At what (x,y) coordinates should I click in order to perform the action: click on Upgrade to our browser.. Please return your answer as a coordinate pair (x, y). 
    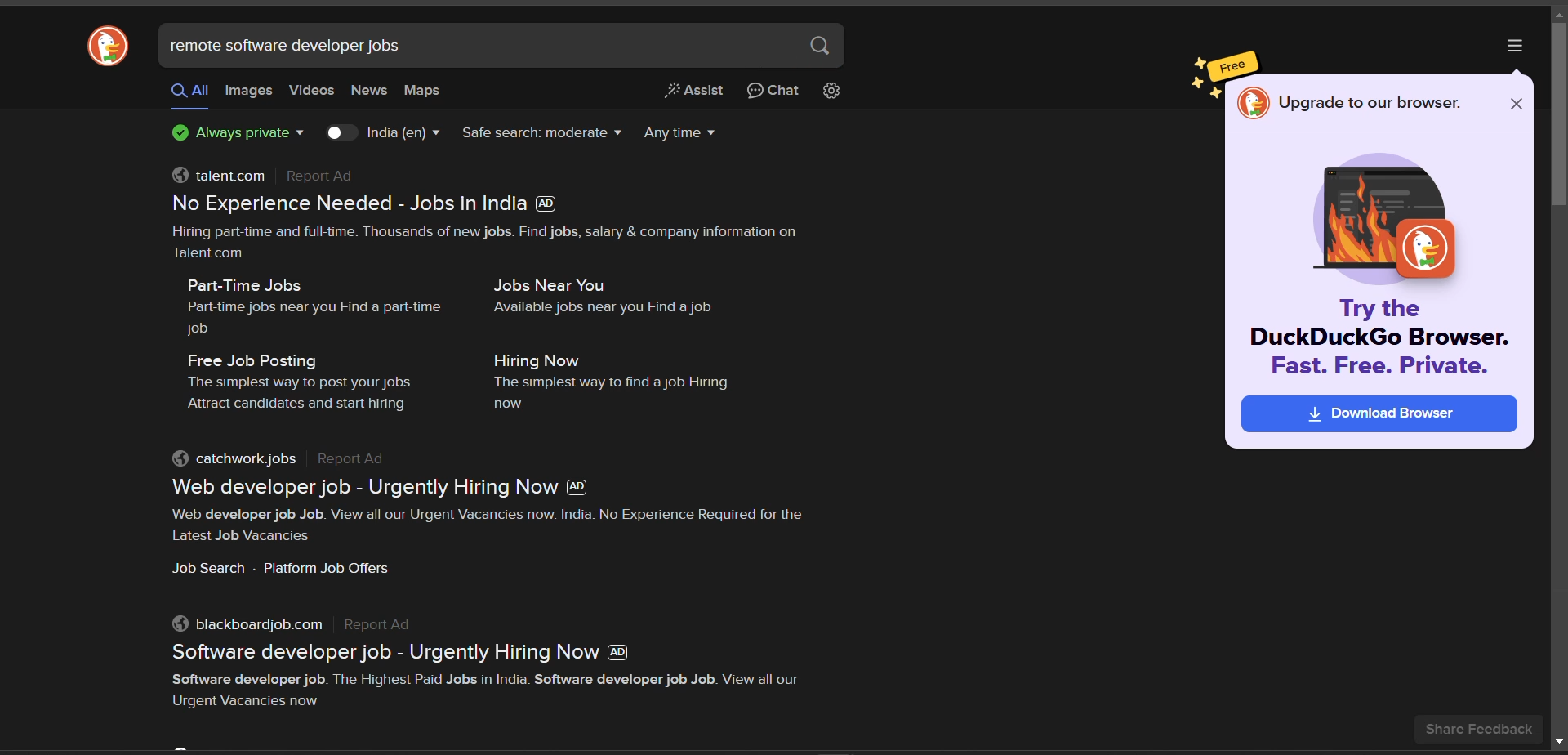
    Looking at the image, I should click on (1374, 103).